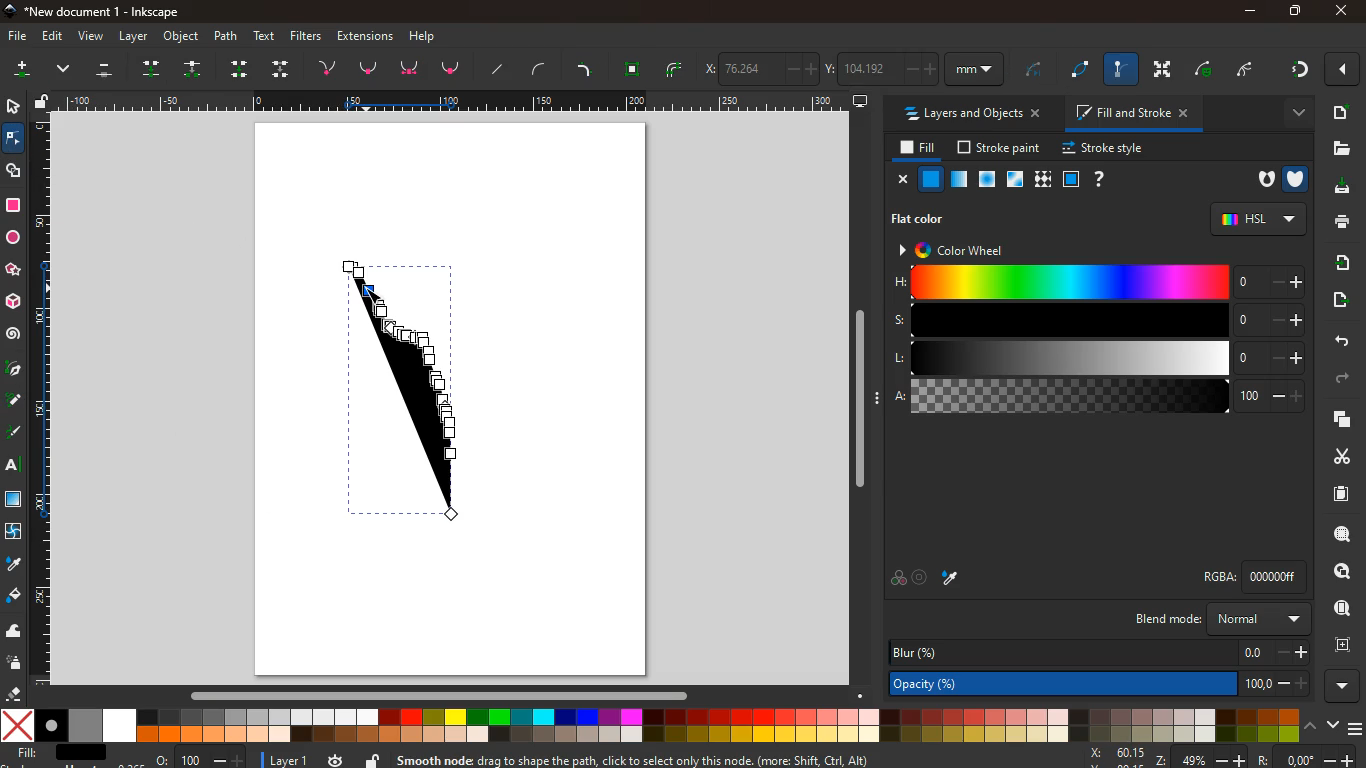  What do you see at coordinates (14, 499) in the screenshot?
I see `texture` at bounding box center [14, 499].